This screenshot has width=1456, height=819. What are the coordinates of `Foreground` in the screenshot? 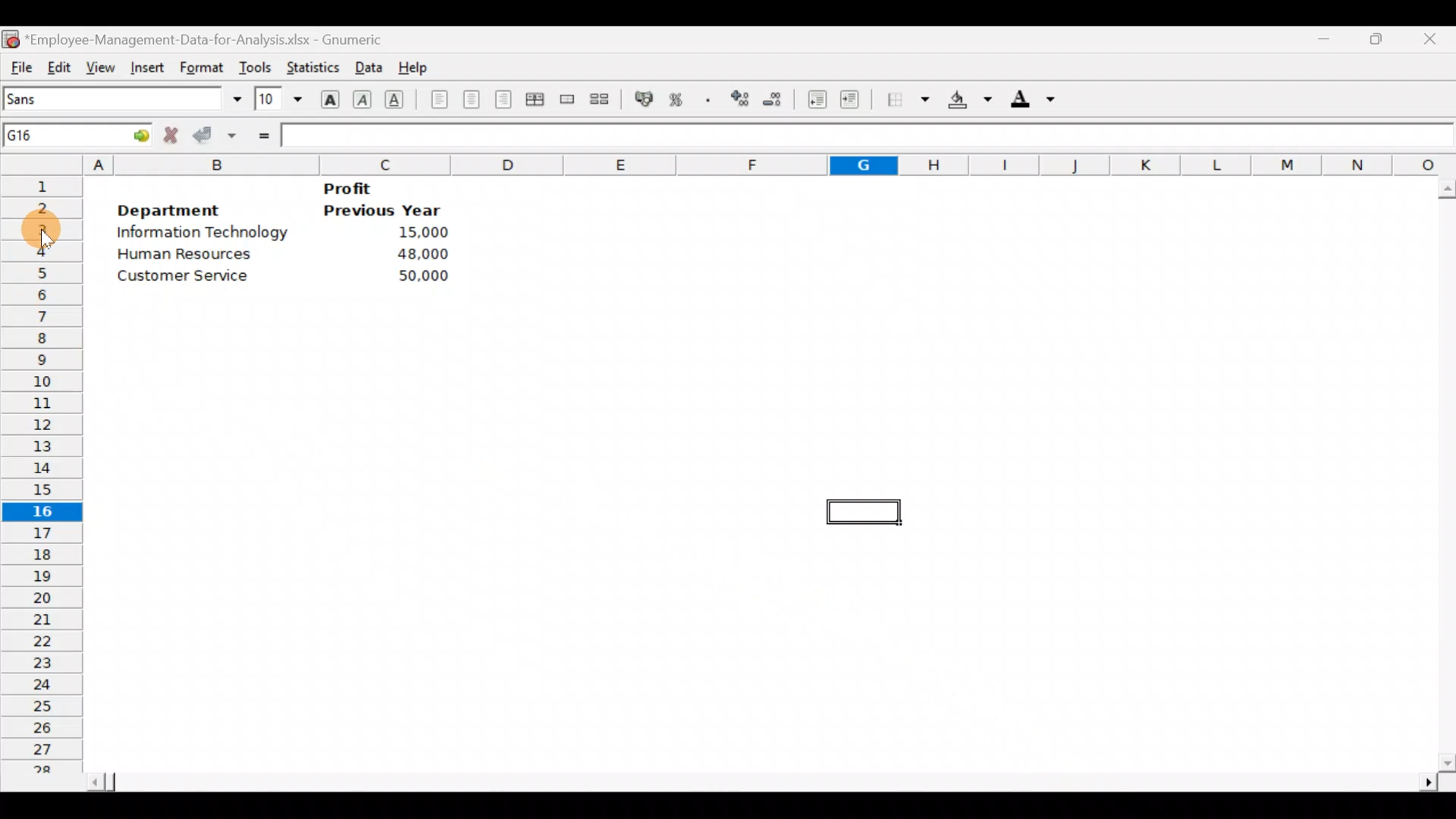 It's located at (1038, 104).